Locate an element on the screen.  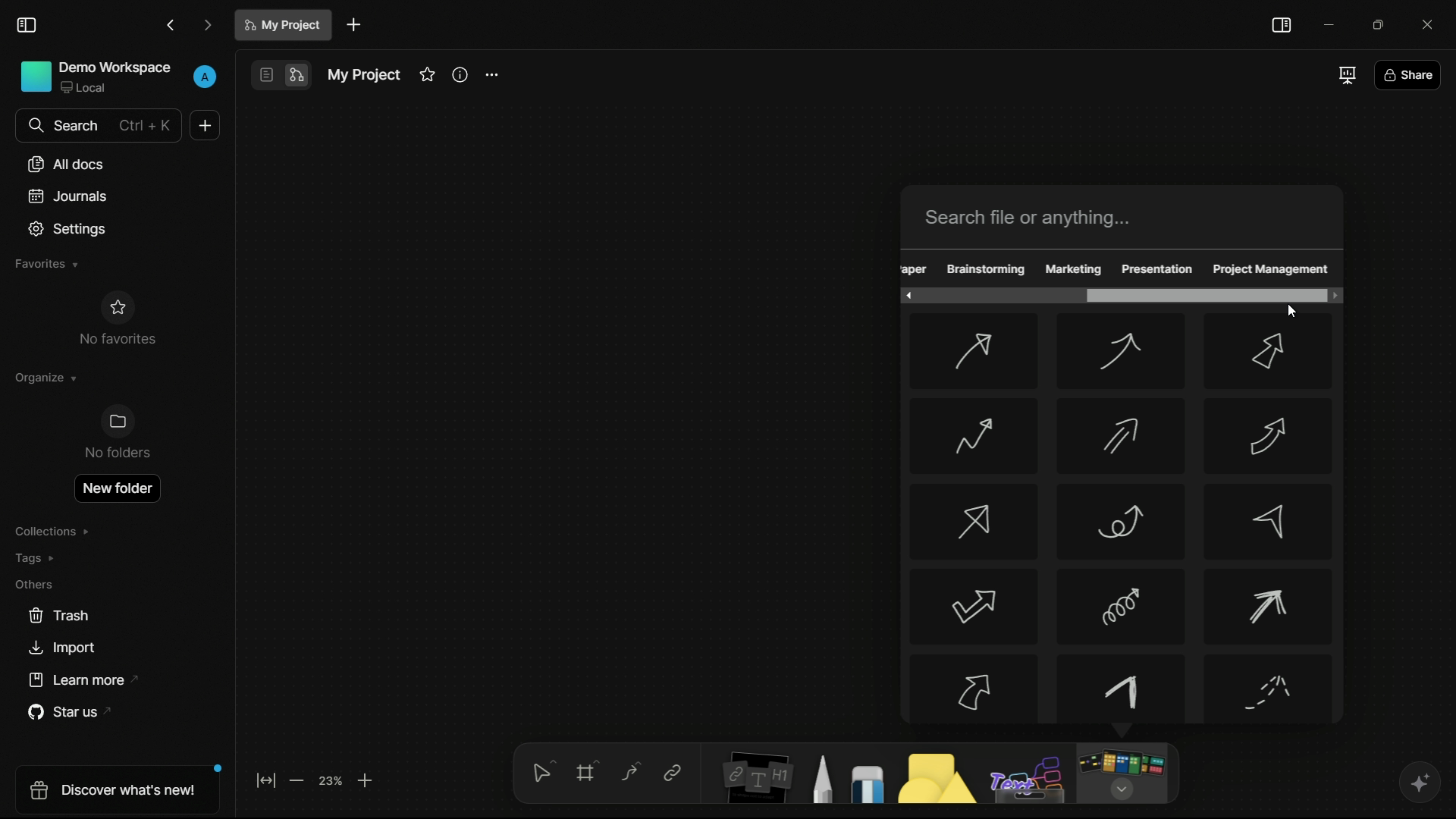
share is located at coordinates (1407, 77).